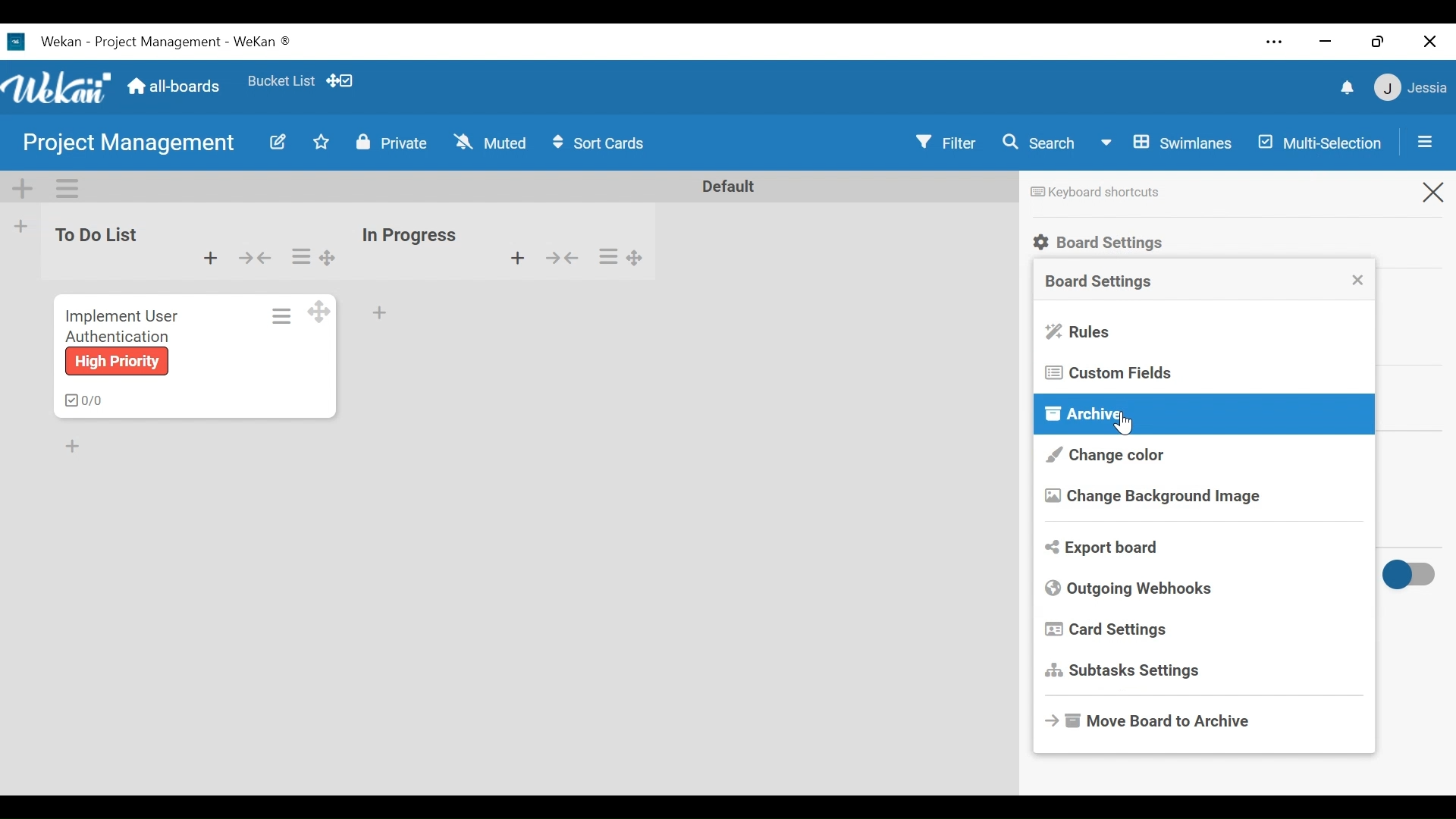  I want to click on Default Name, so click(727, 186).